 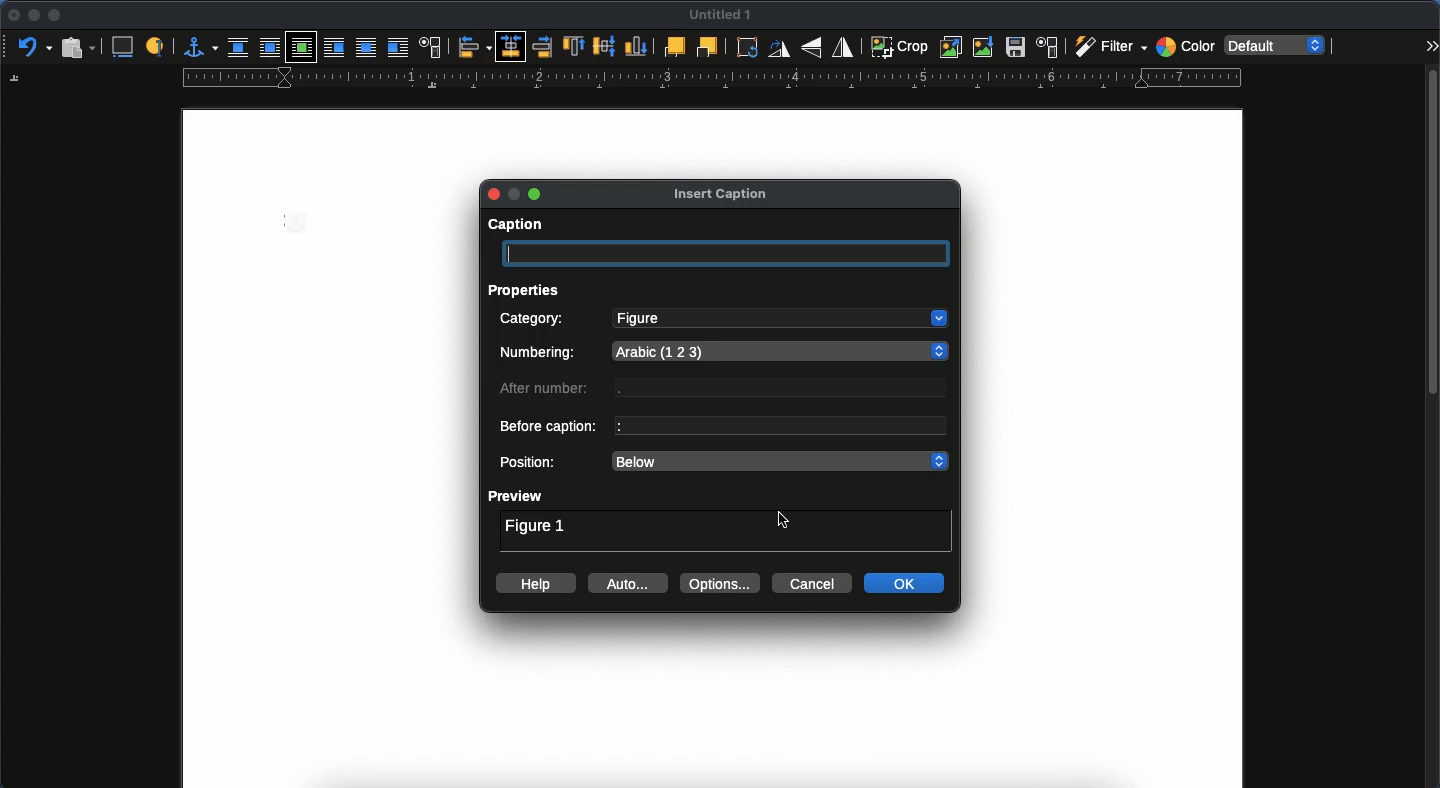 I want to click on category, so click(x=534, y=320).